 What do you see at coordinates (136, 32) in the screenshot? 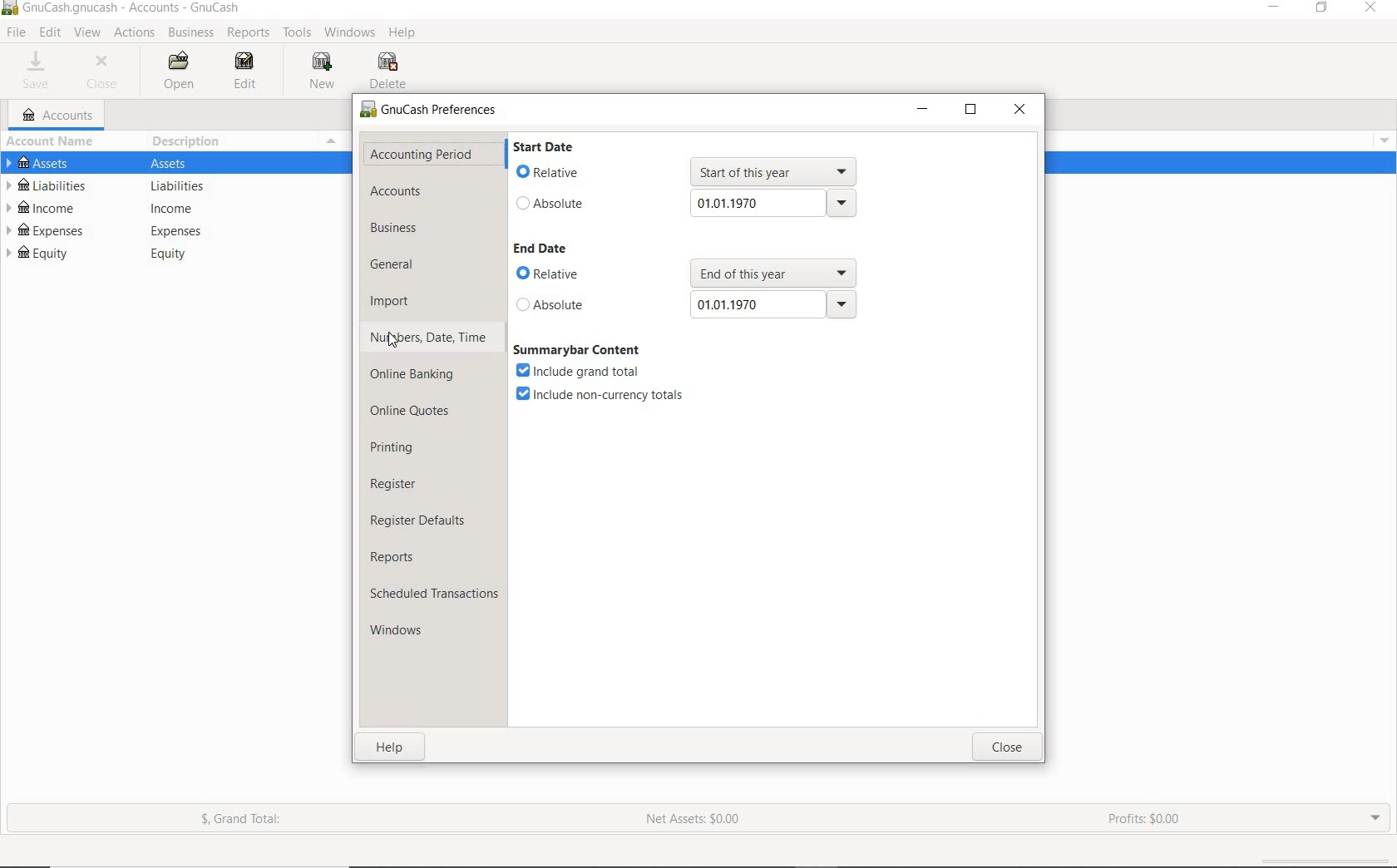
I see `ACTIONS` at bounding box center [136, 32].